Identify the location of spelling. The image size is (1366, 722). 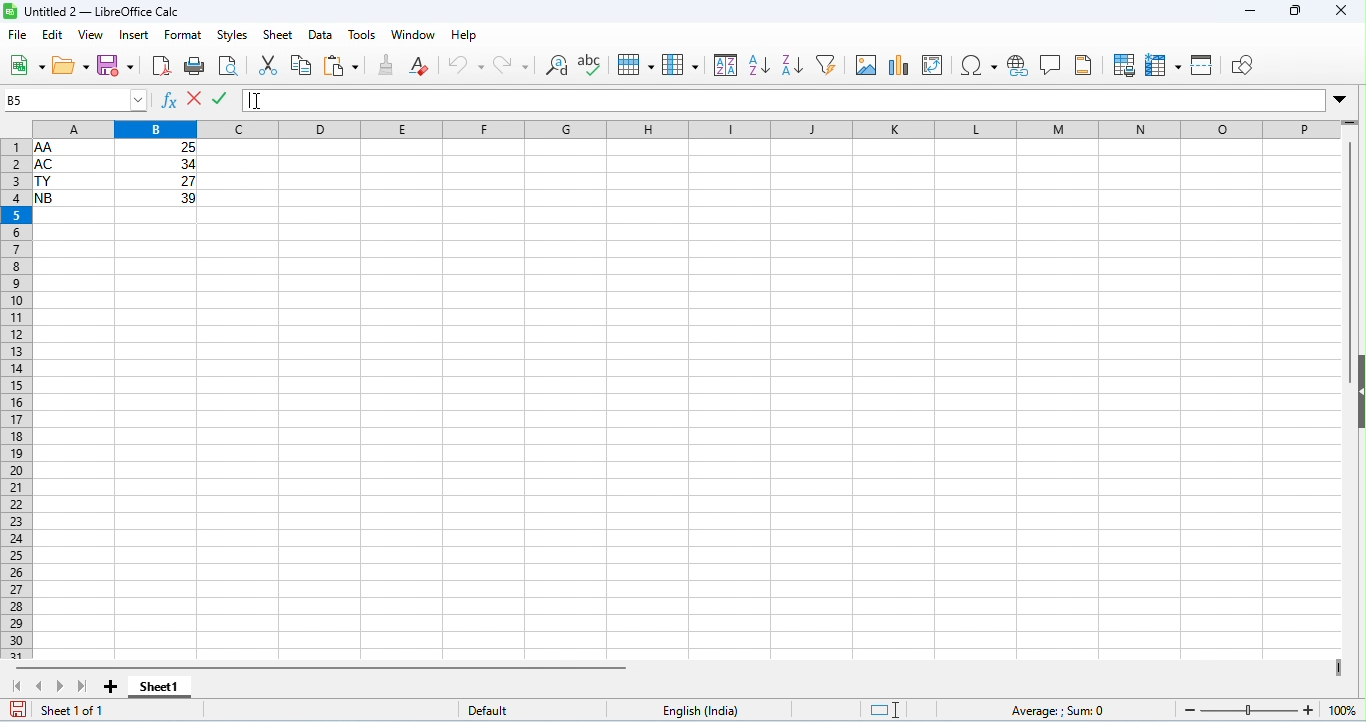
(592, 64).